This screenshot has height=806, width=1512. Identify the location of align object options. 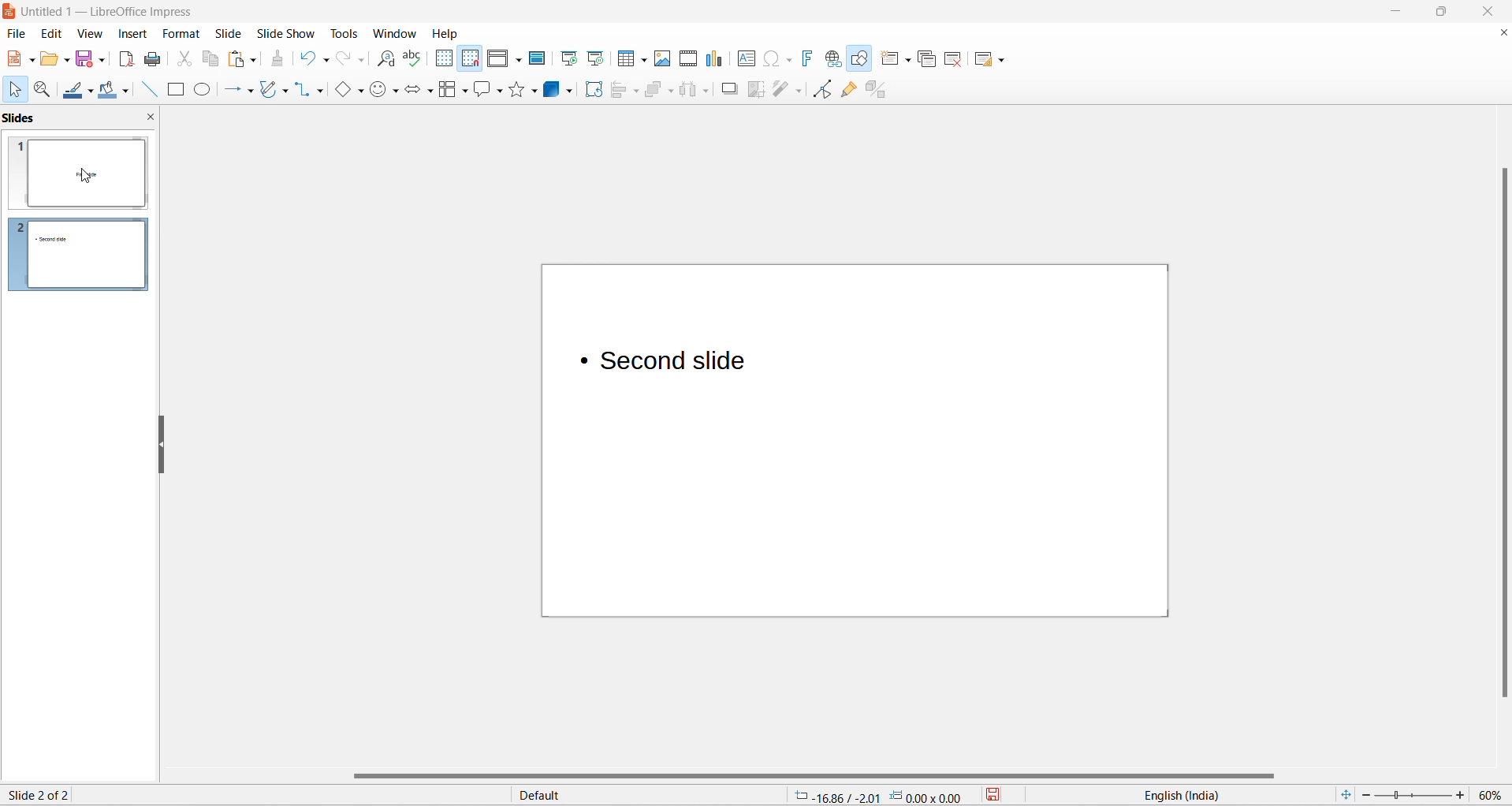
(616, 91).